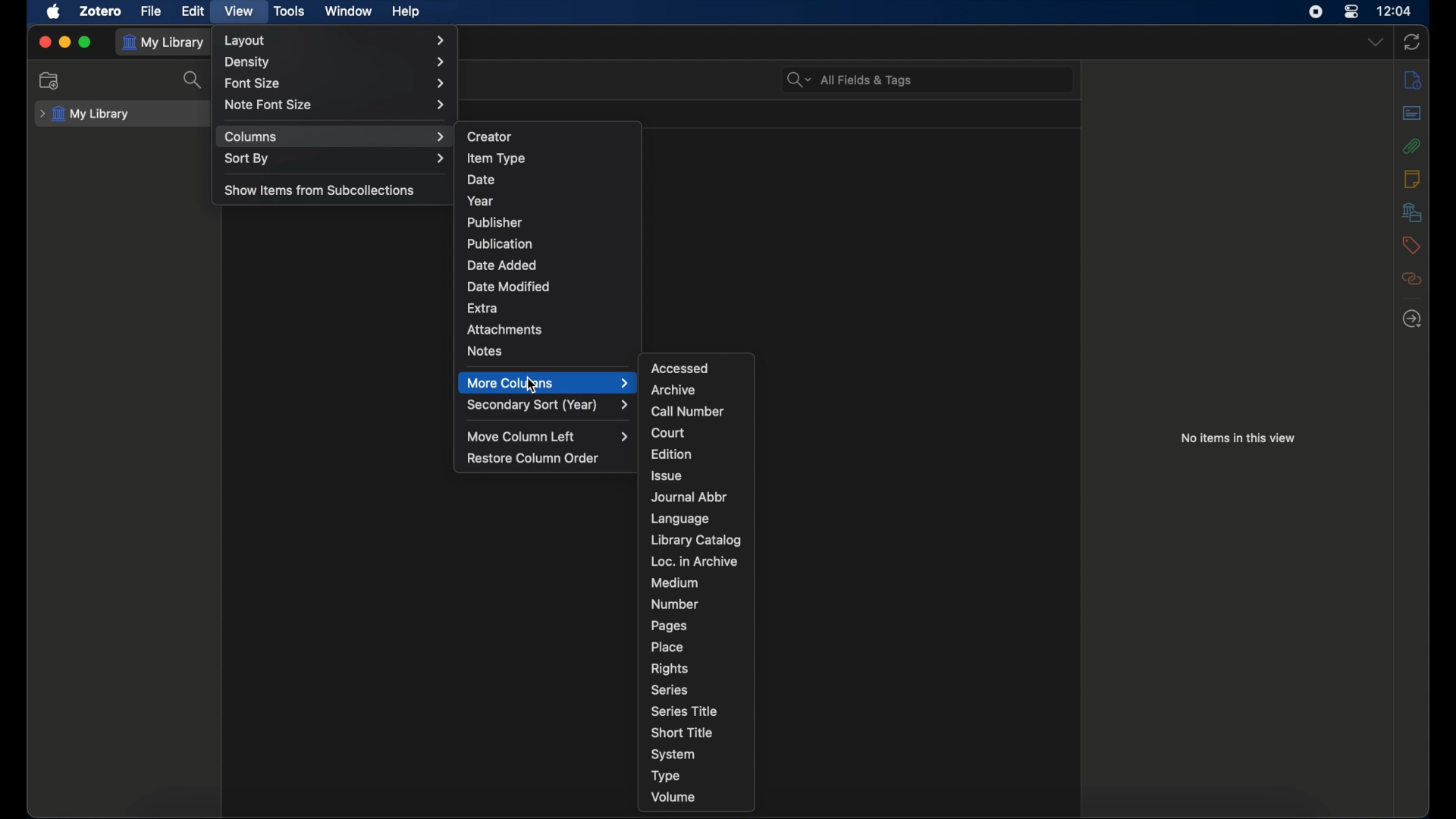 The height and width of the screenshot is (819, 1456). I want to click on view, so click(238, 11).